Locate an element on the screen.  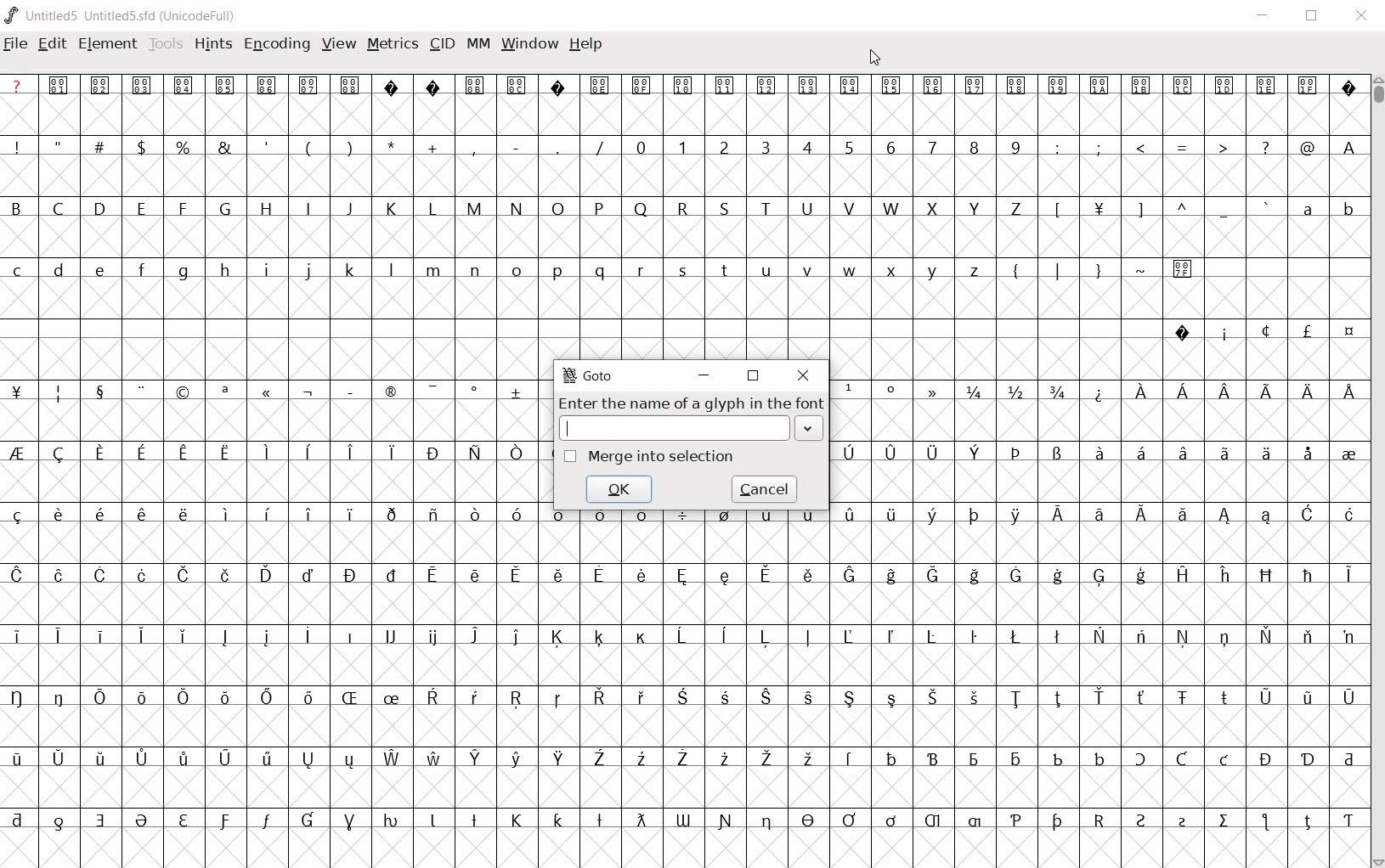
Symbol is located at coordinates (392, 759).